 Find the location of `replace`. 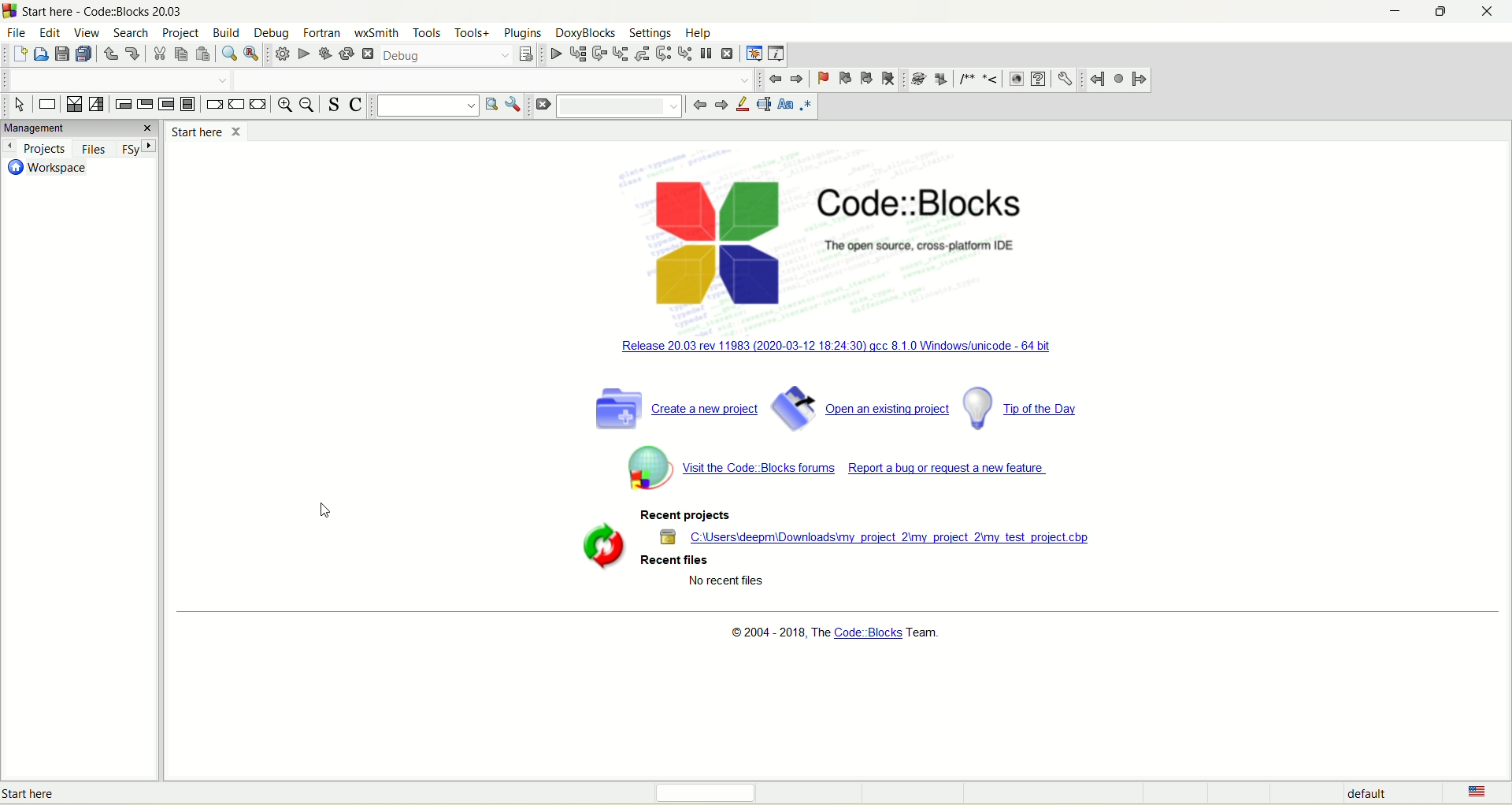

replace is located at coordinates (254, 54).